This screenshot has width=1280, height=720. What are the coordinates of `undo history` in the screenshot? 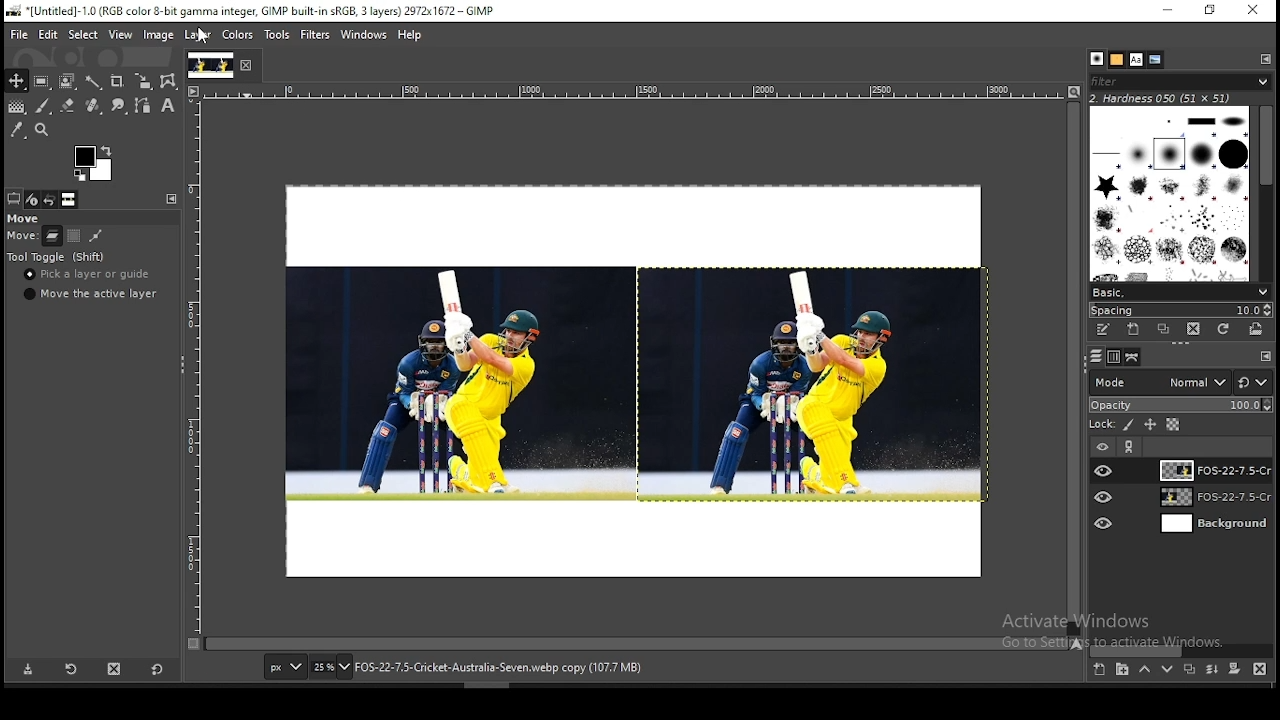 It's located at (49, 200).